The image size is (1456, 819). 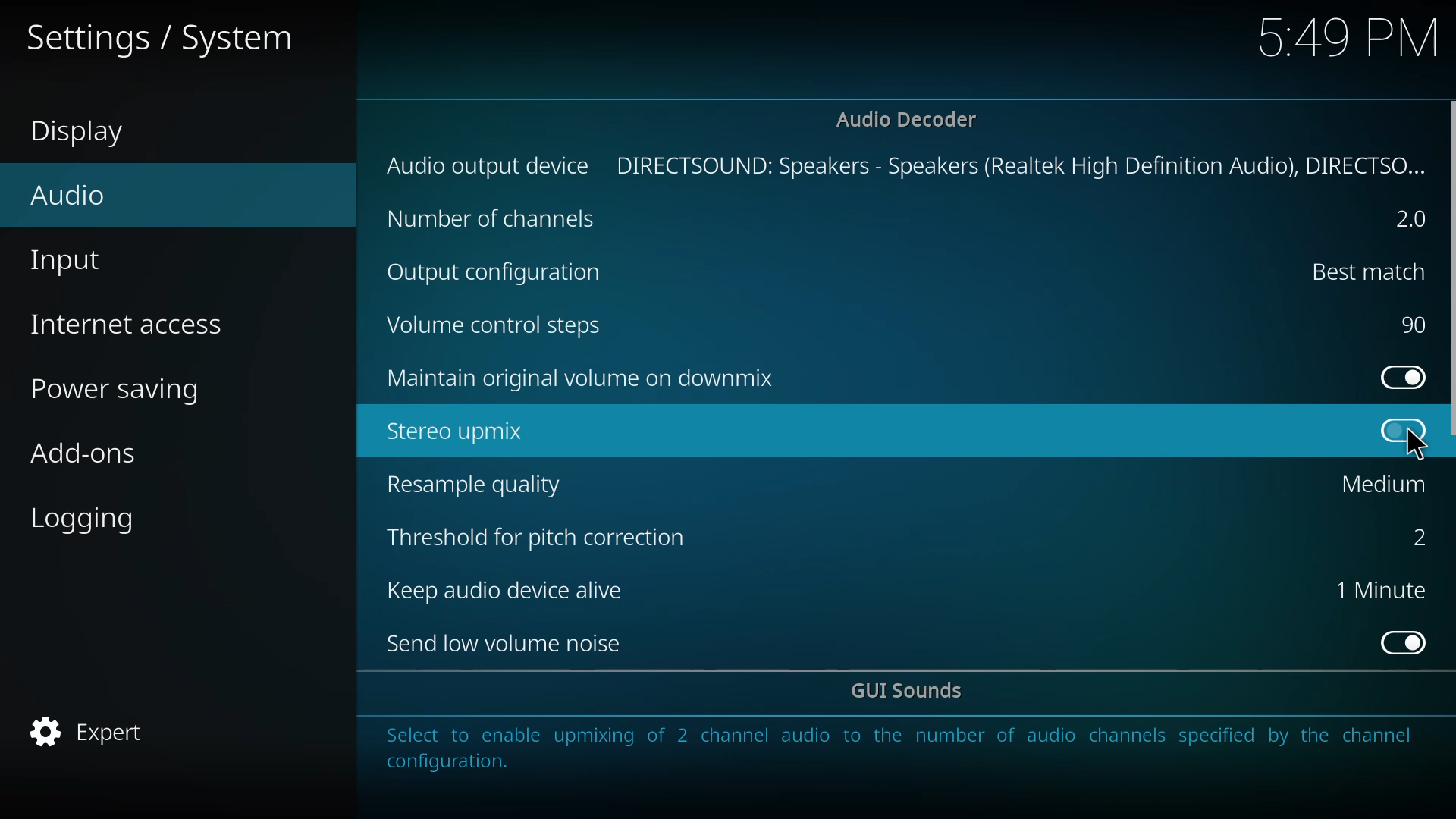 What do you see at coordinates (67, 196) in the screenshot?
I see `audio` at bounding box center [67, 196].